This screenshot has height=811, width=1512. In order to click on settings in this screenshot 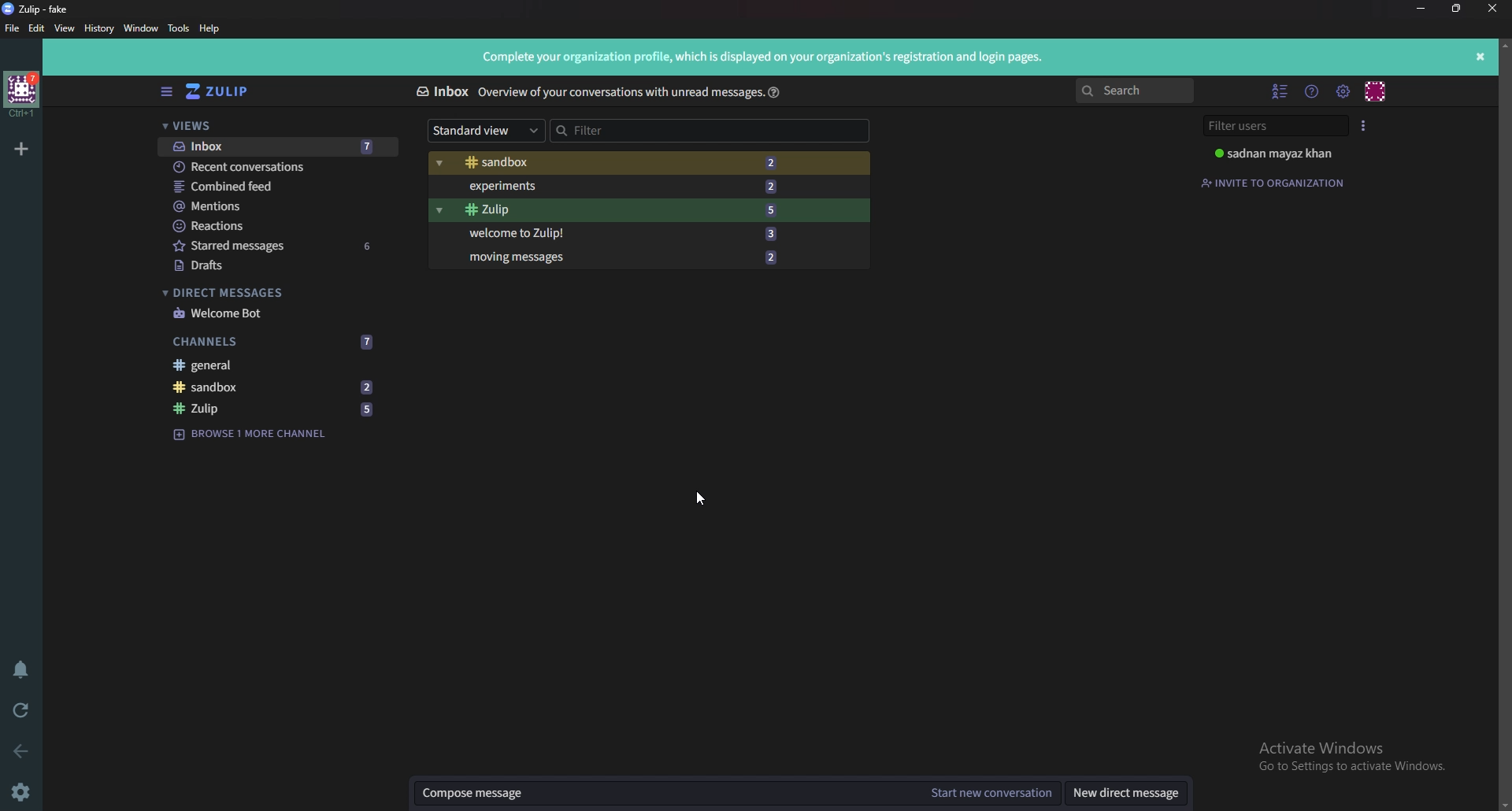, I will do `click(22, 794)`.